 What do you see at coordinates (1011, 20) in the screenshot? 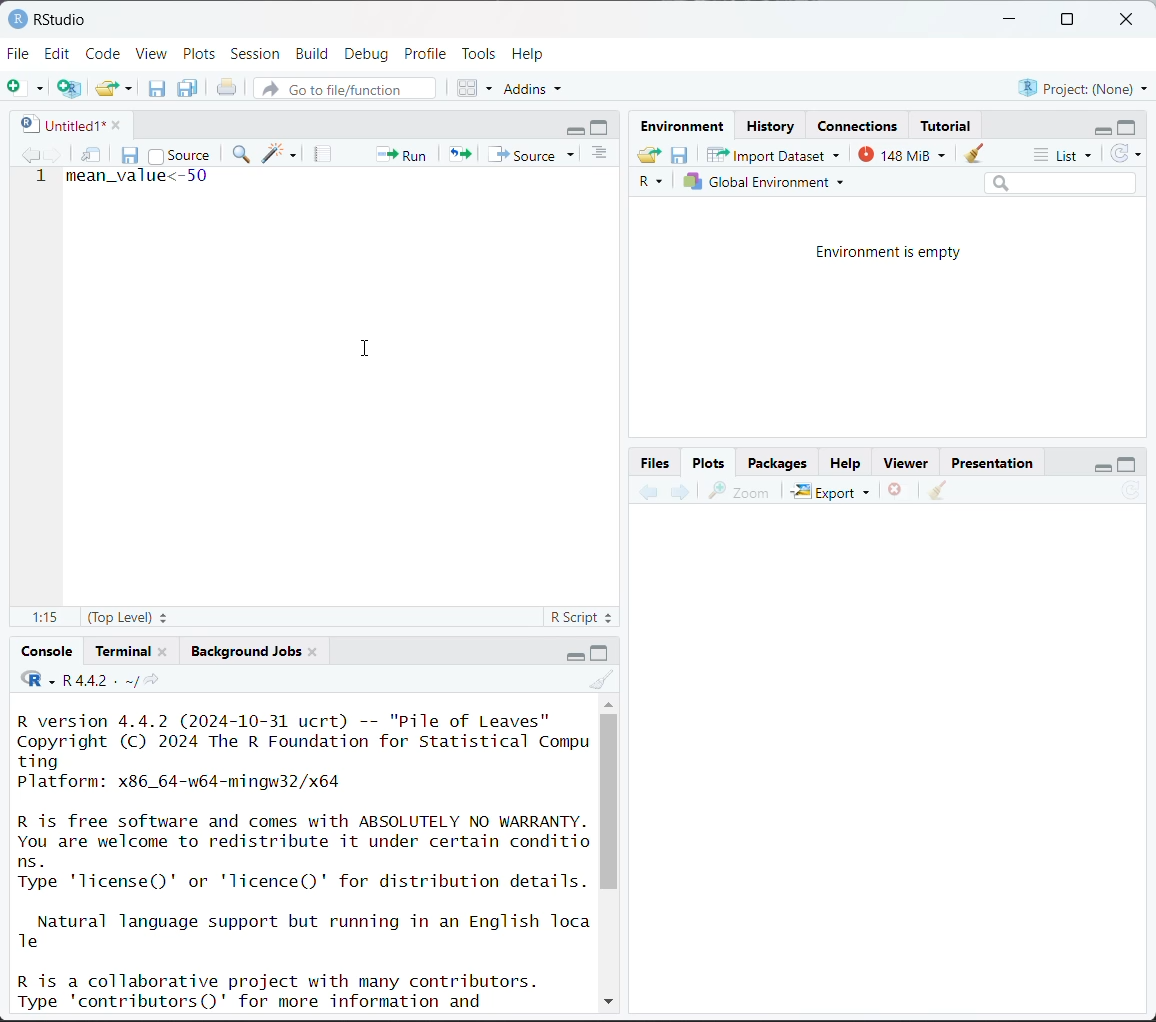
I see `minimize` at bounding box center [1011, 20].